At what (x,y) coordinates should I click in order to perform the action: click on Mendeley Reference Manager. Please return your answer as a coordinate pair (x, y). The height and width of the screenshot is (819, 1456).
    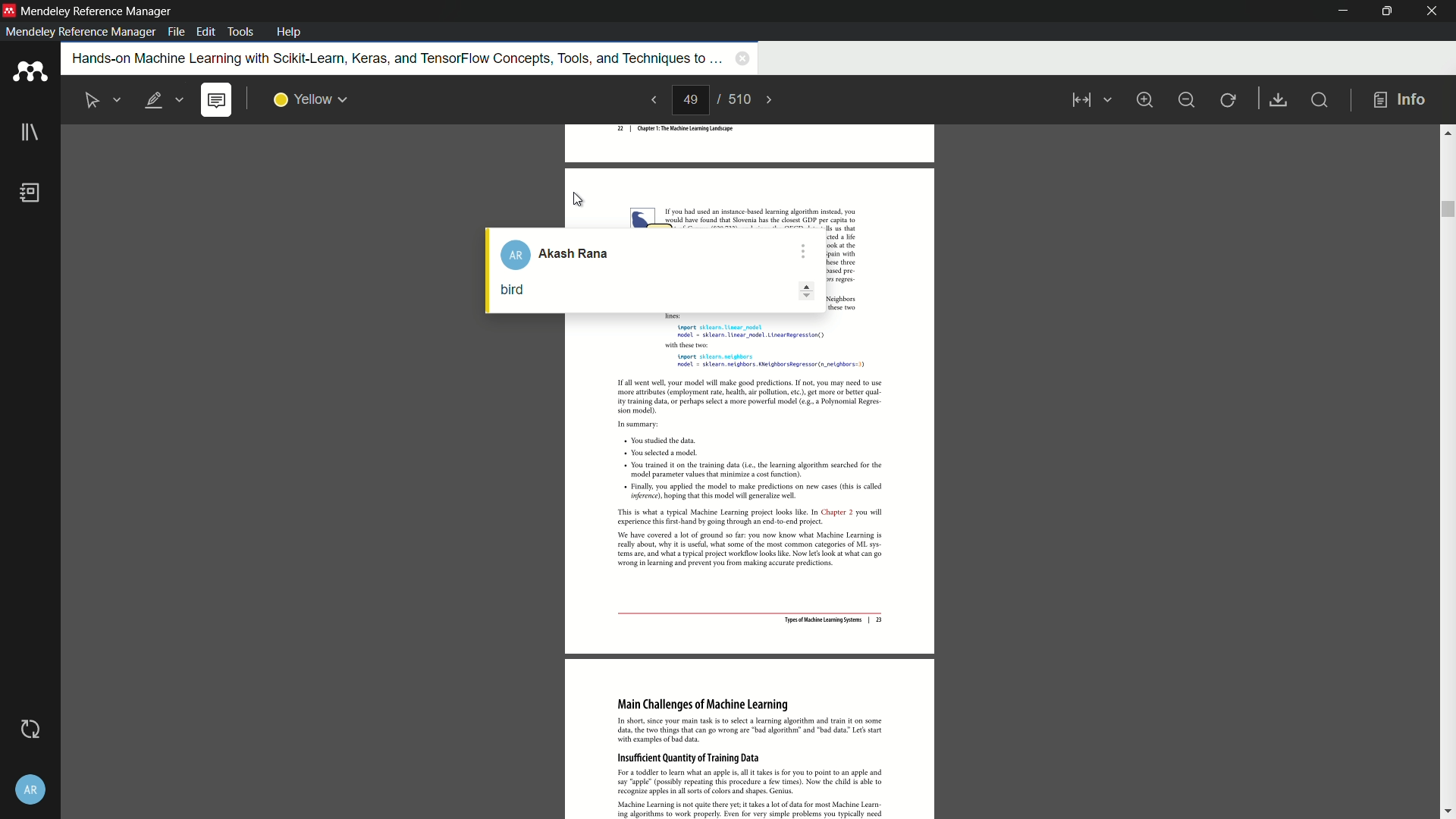
    Looking at the image, I should click on (97, 11).